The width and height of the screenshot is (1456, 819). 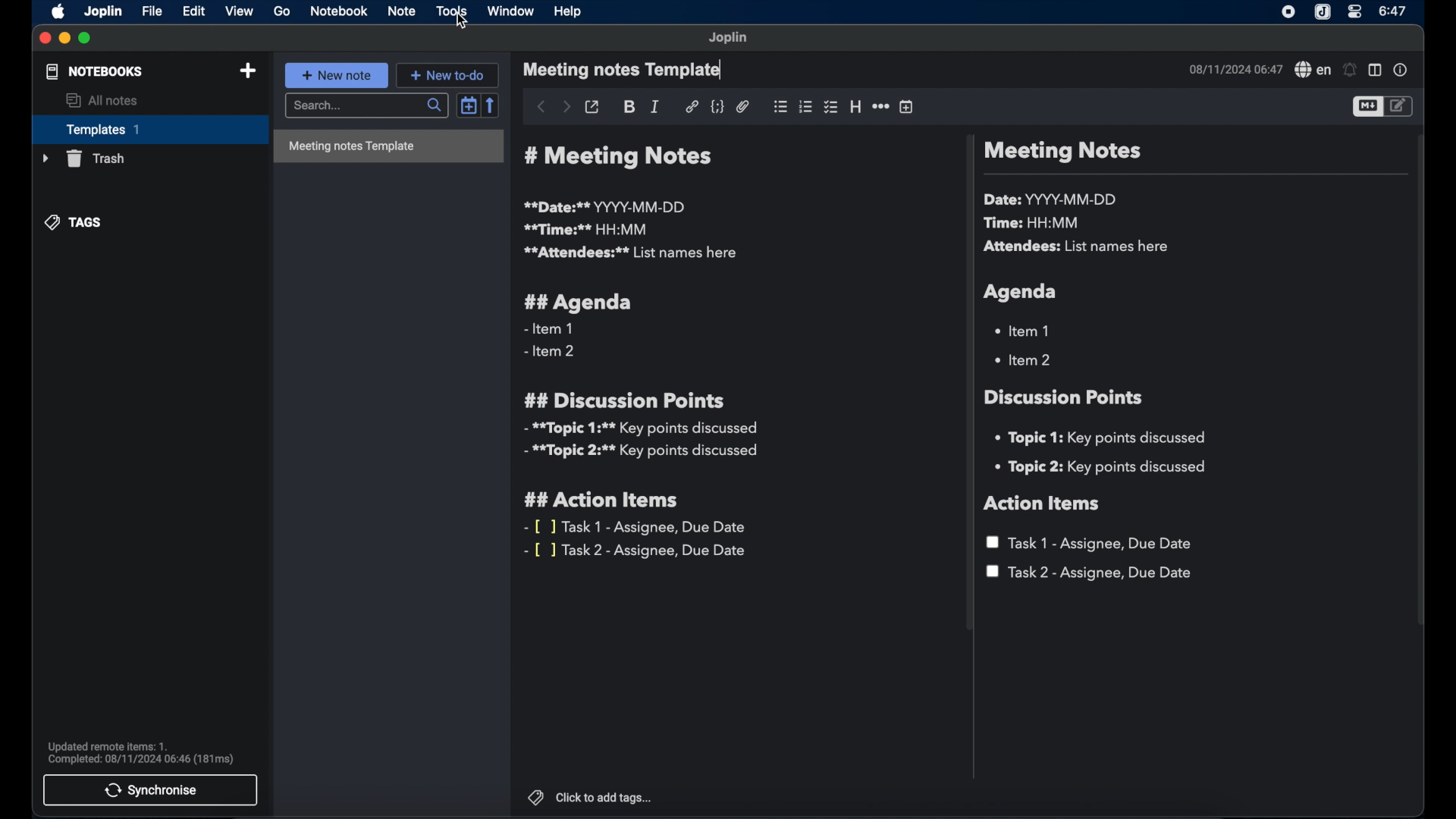 What do you see at coordinates (511, 12) in the screenshot?
I see `window` at bounding box center [511, 12].